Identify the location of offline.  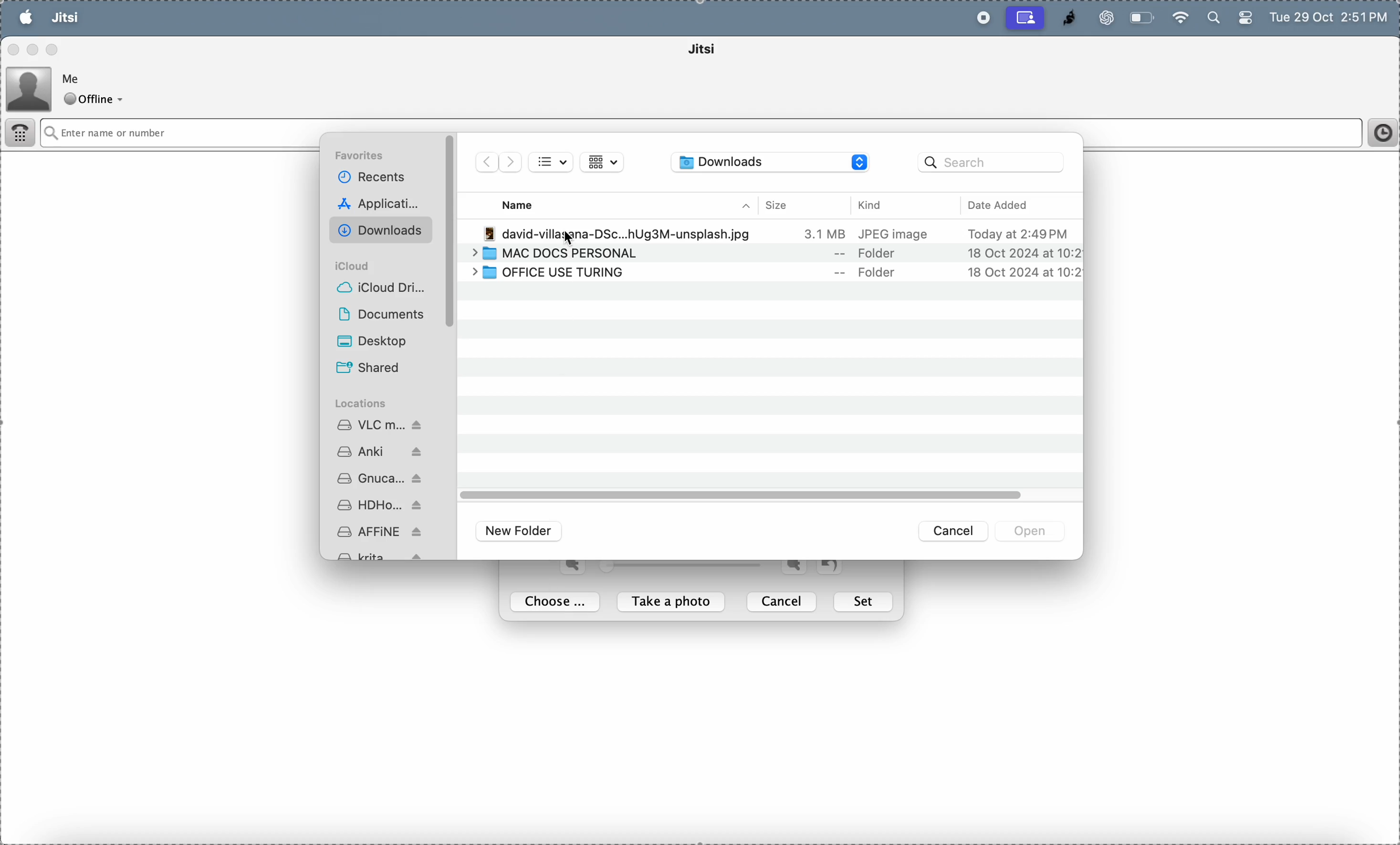
(97, 100).